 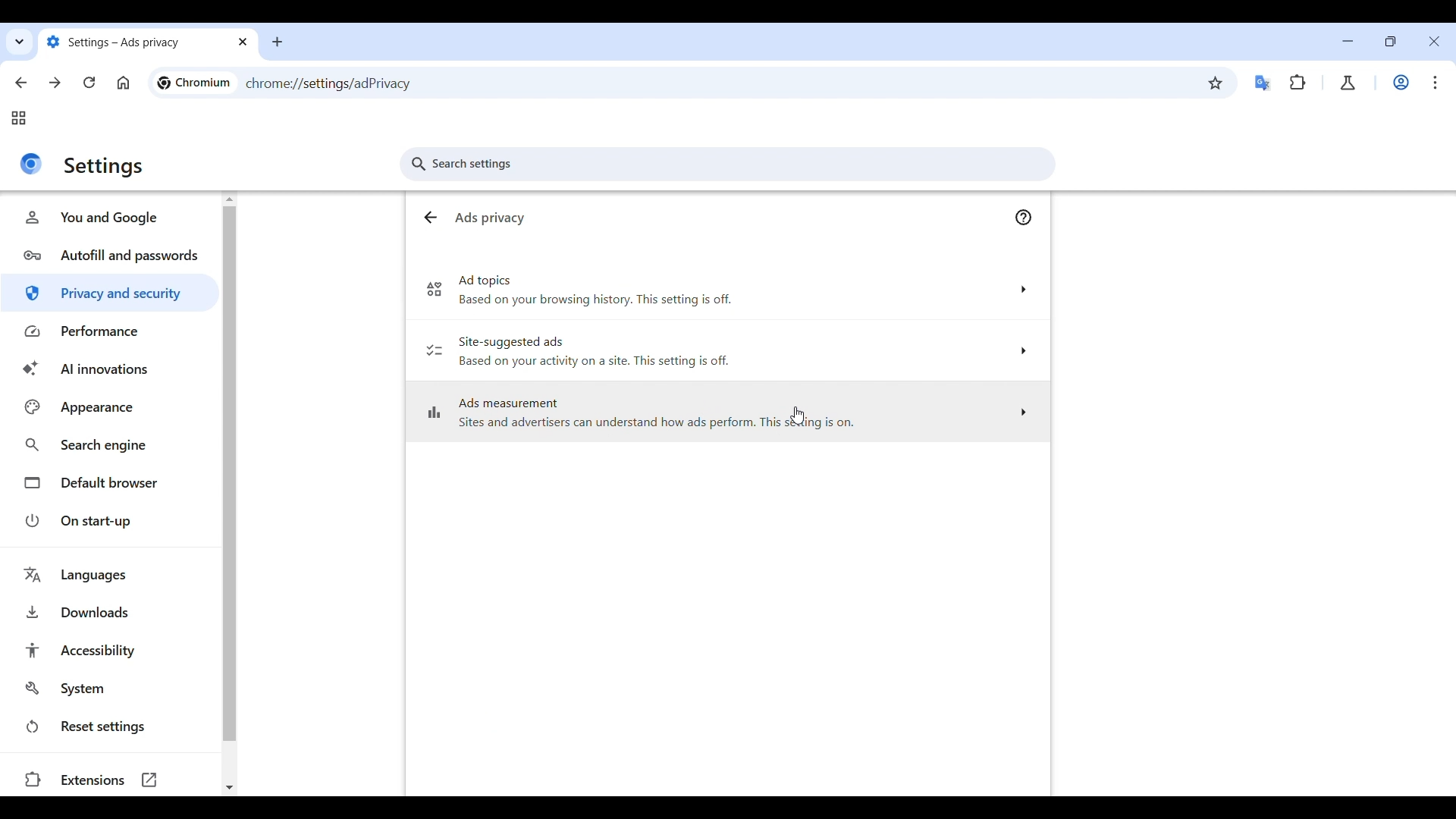 What do you see at coordinates (1348, 83) in the screenshot?
I see `Chrome labs` at bounding box center [1348, 83].